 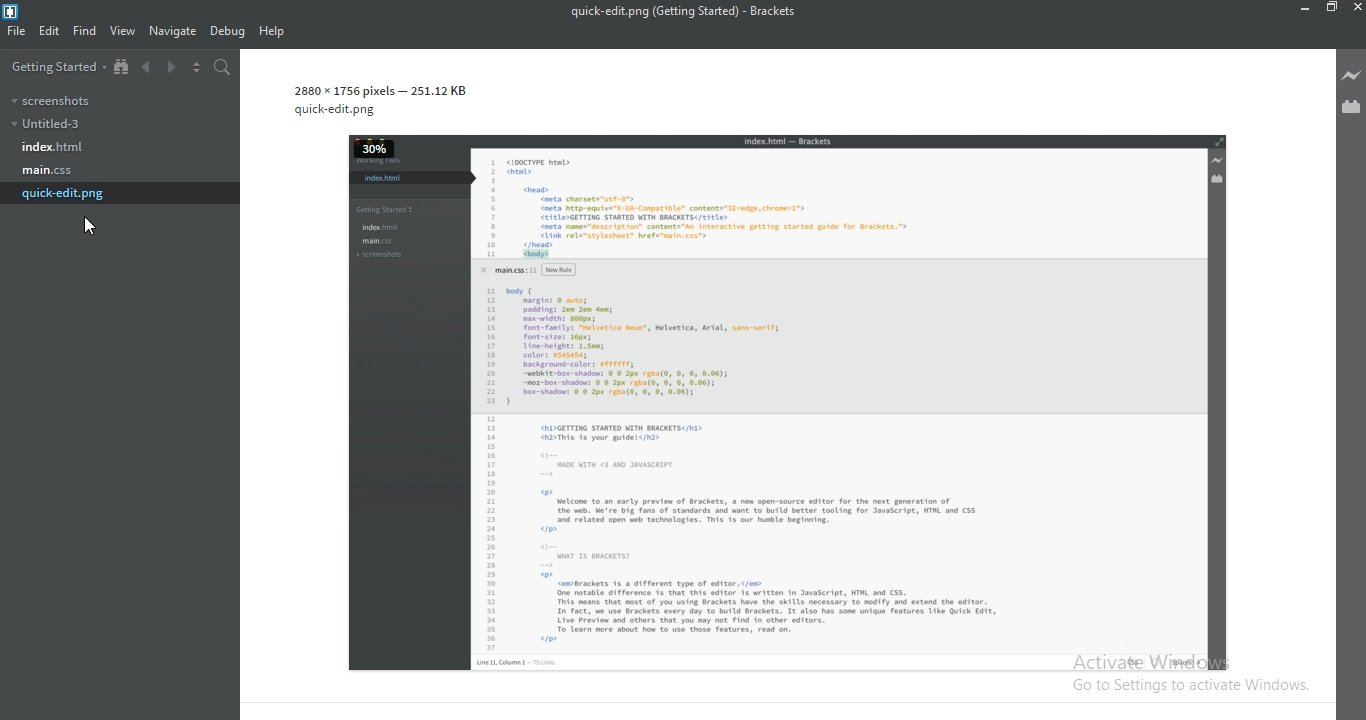 What do you see at coordinates (53, 66) in the screenshot?
I see `getting started` at bounding box center [53, 66].